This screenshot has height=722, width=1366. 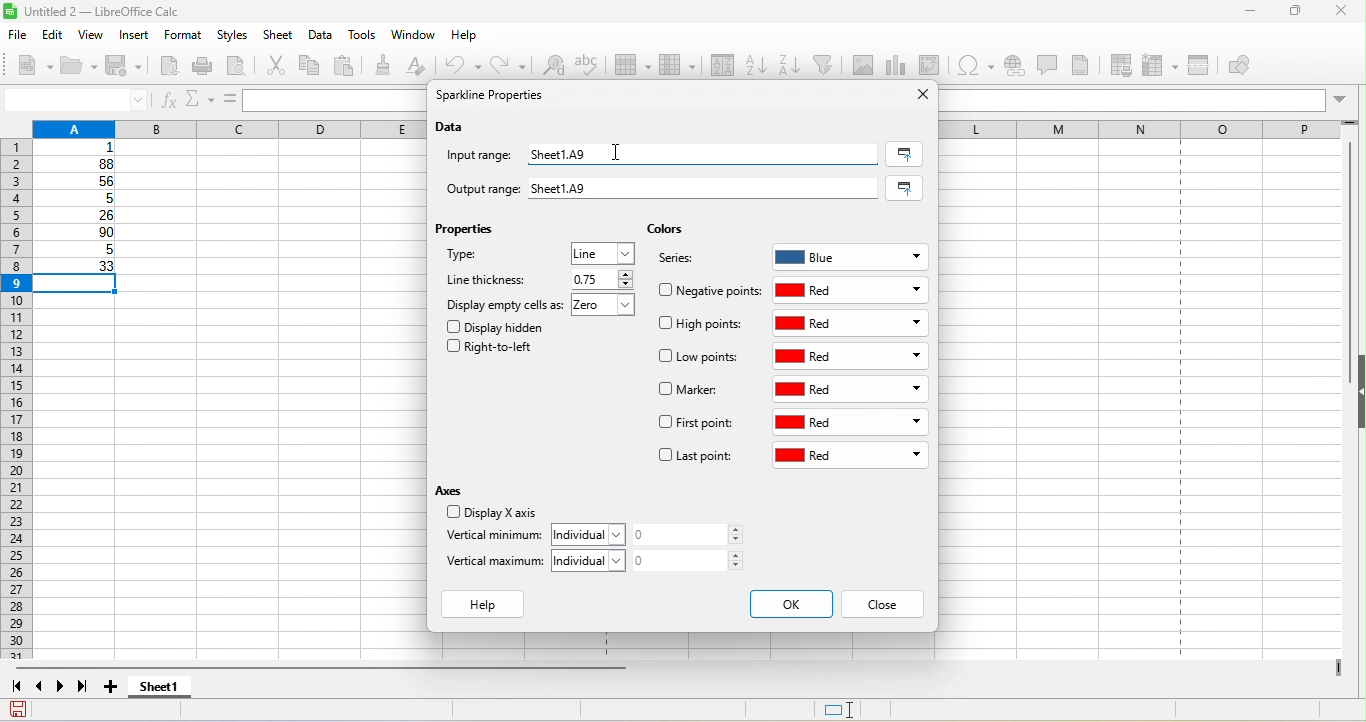 What do you see at coordinates (851, 323) in the screenshot?
I see `red` at bounding box center [851, 323].